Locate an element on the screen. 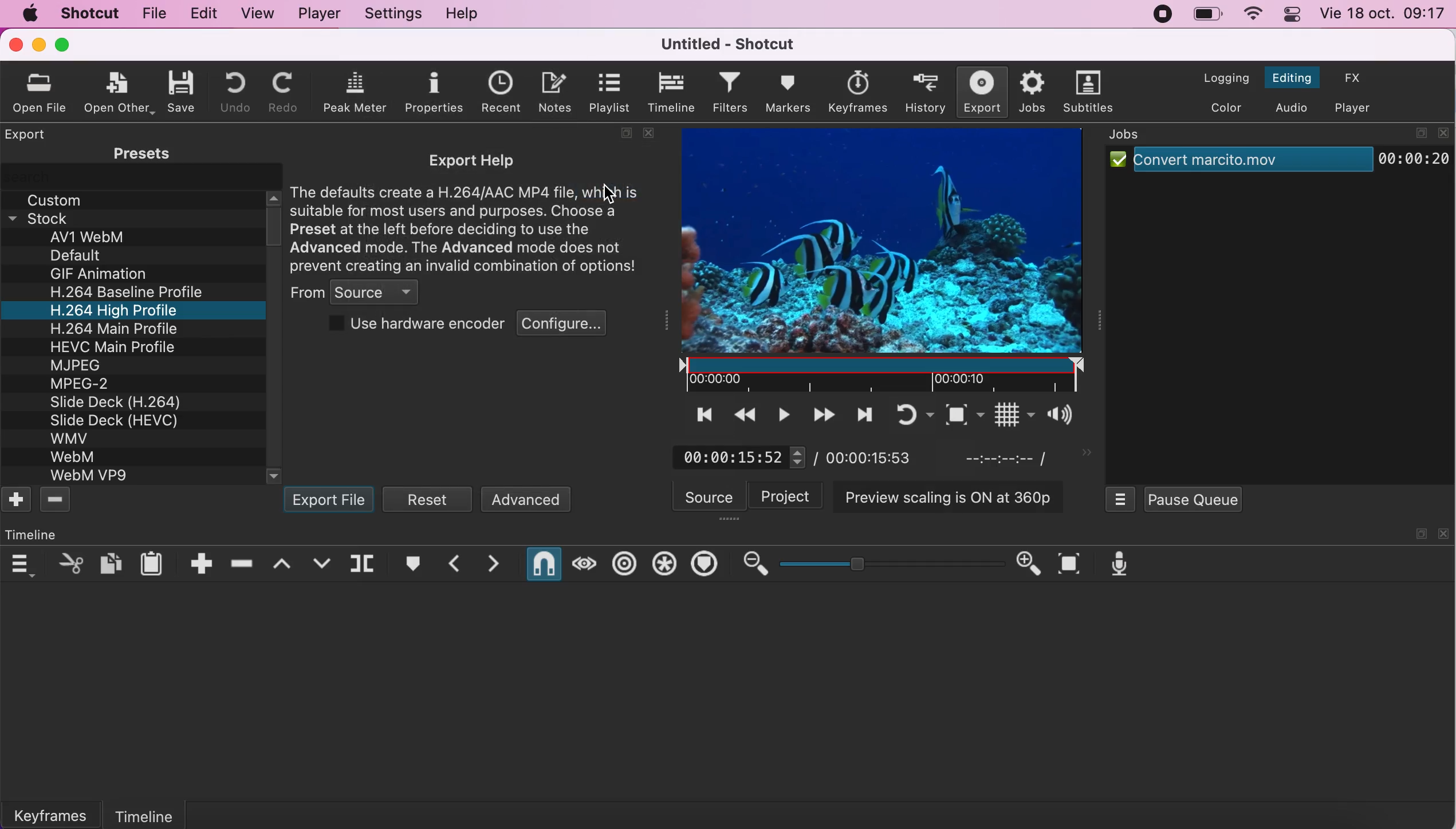 Image resolution: width=1456 pixels, height=829 pixels. save is located at coordinates (183, 89).